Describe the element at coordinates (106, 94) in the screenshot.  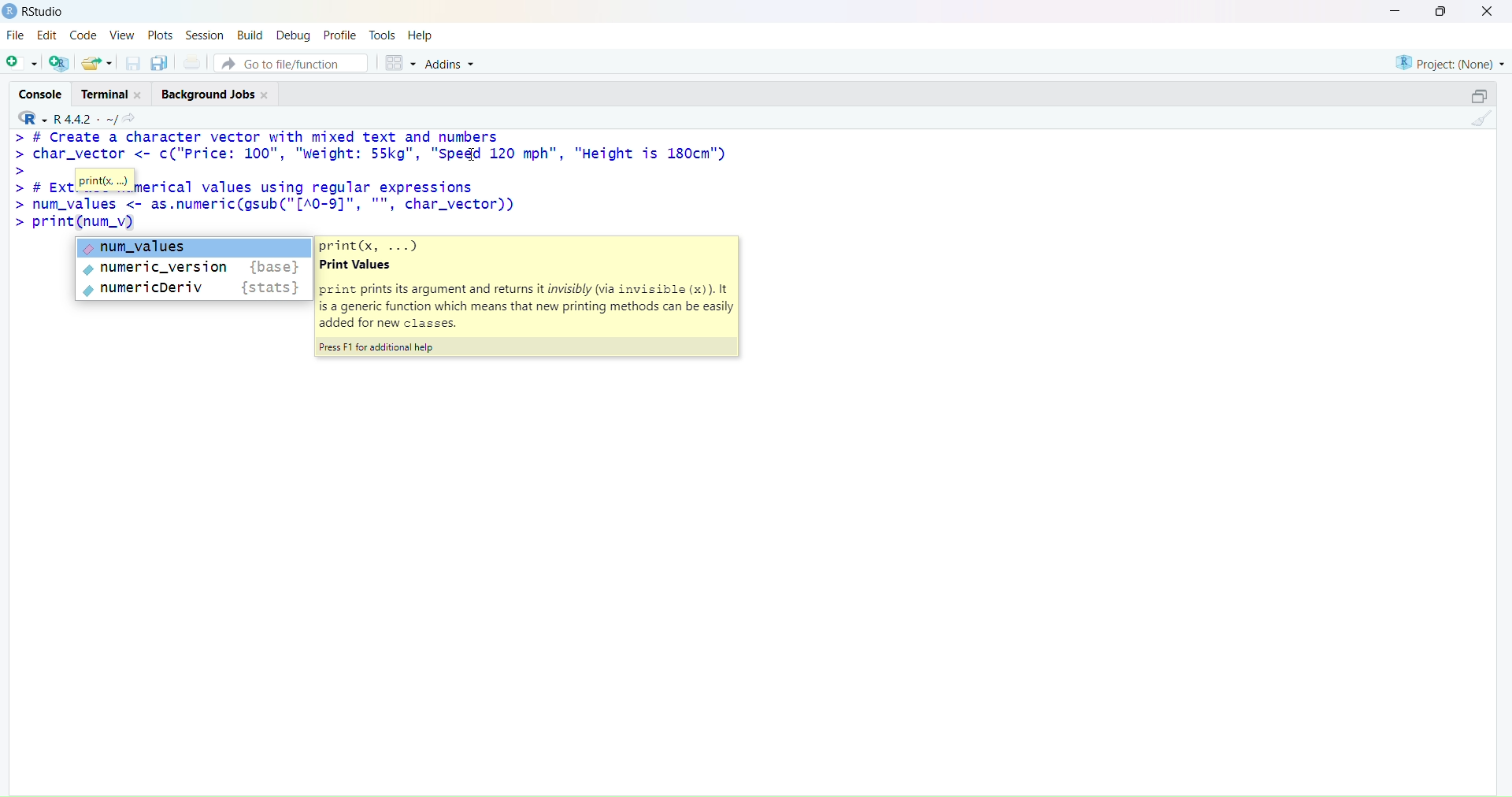
I see `terminal` at that location.